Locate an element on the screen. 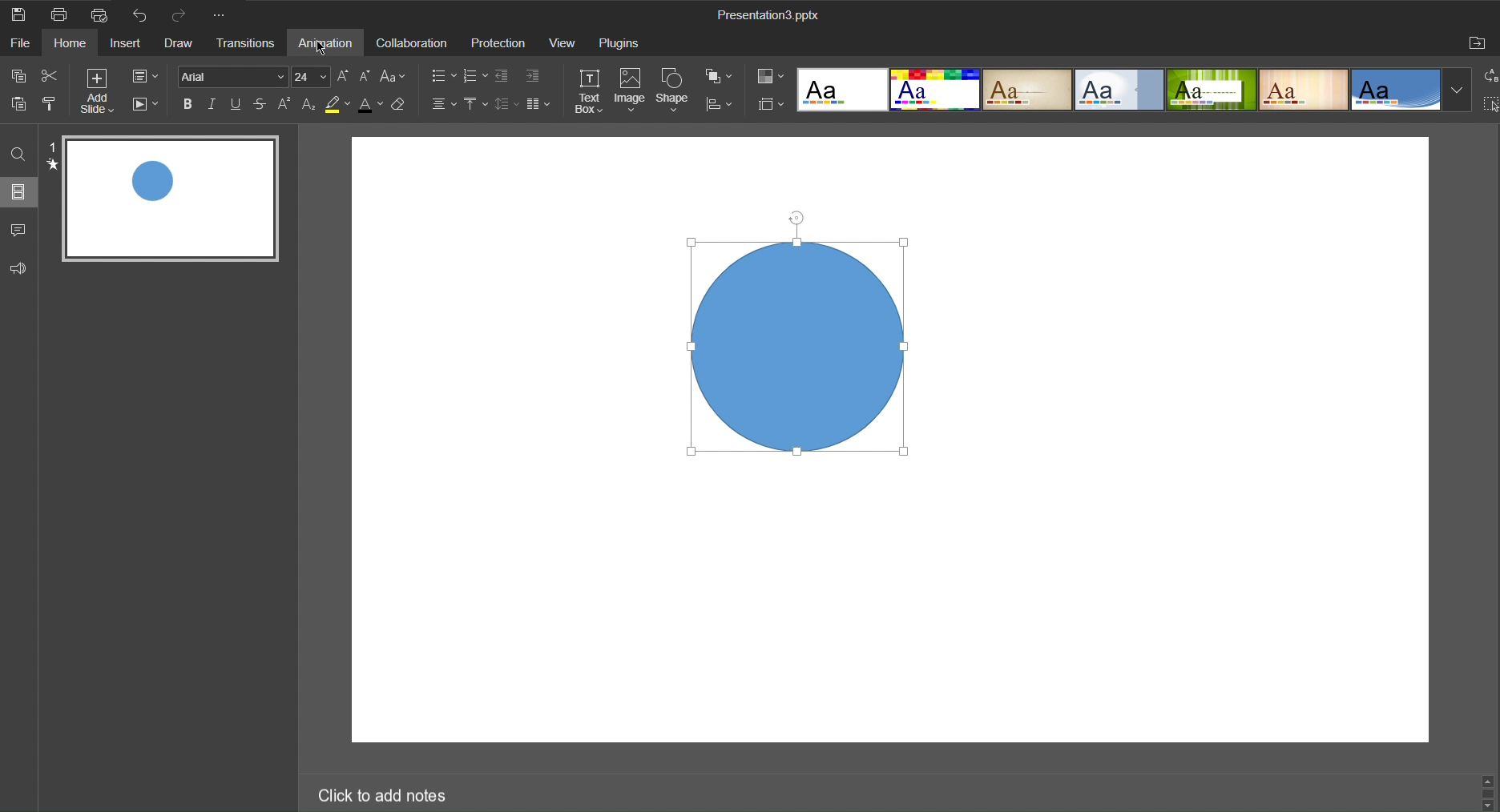 The image size is (1500, 812). Bold is located at coordinates (191, 106).